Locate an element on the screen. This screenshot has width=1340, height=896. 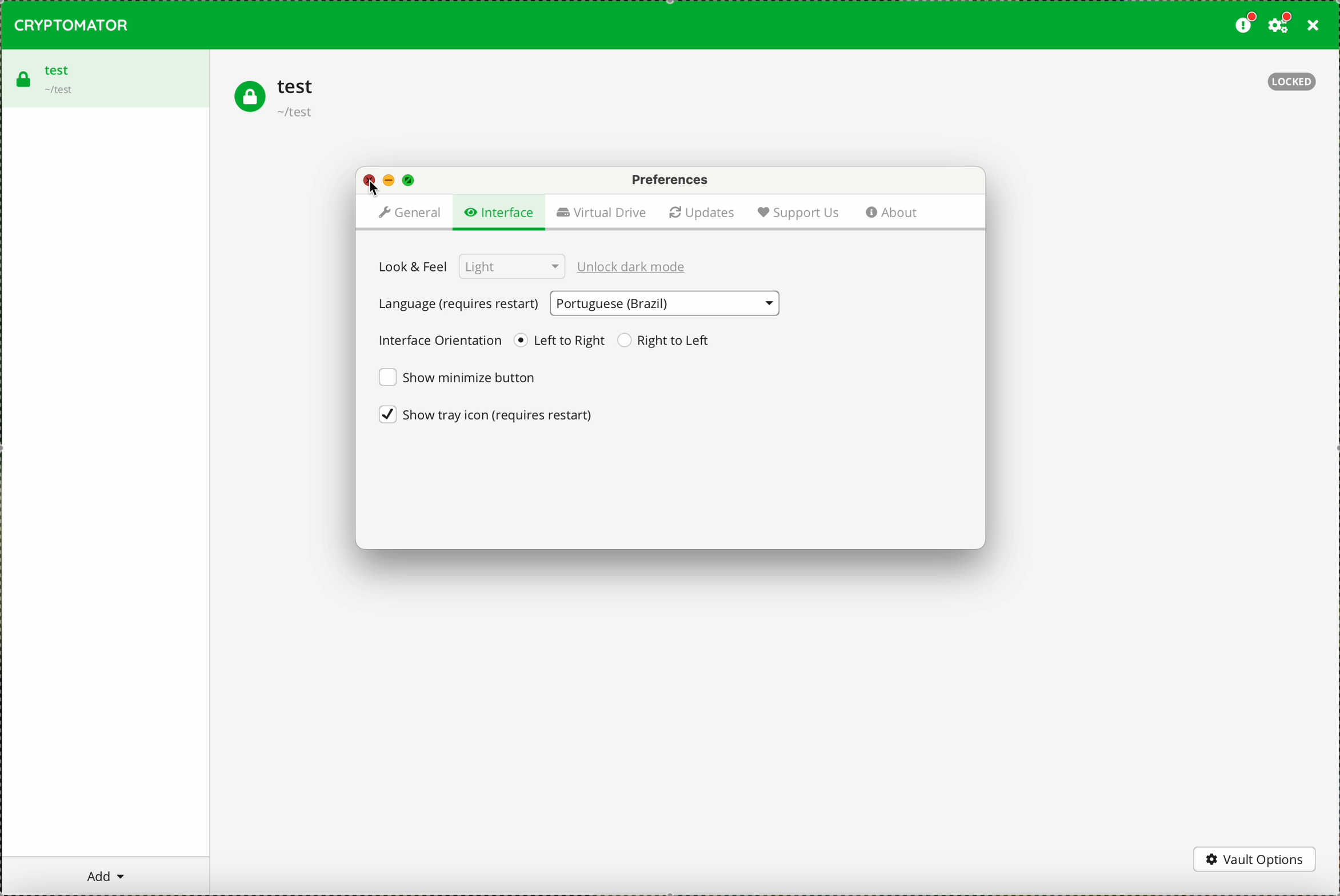
add is located at coordinates (105, 878).